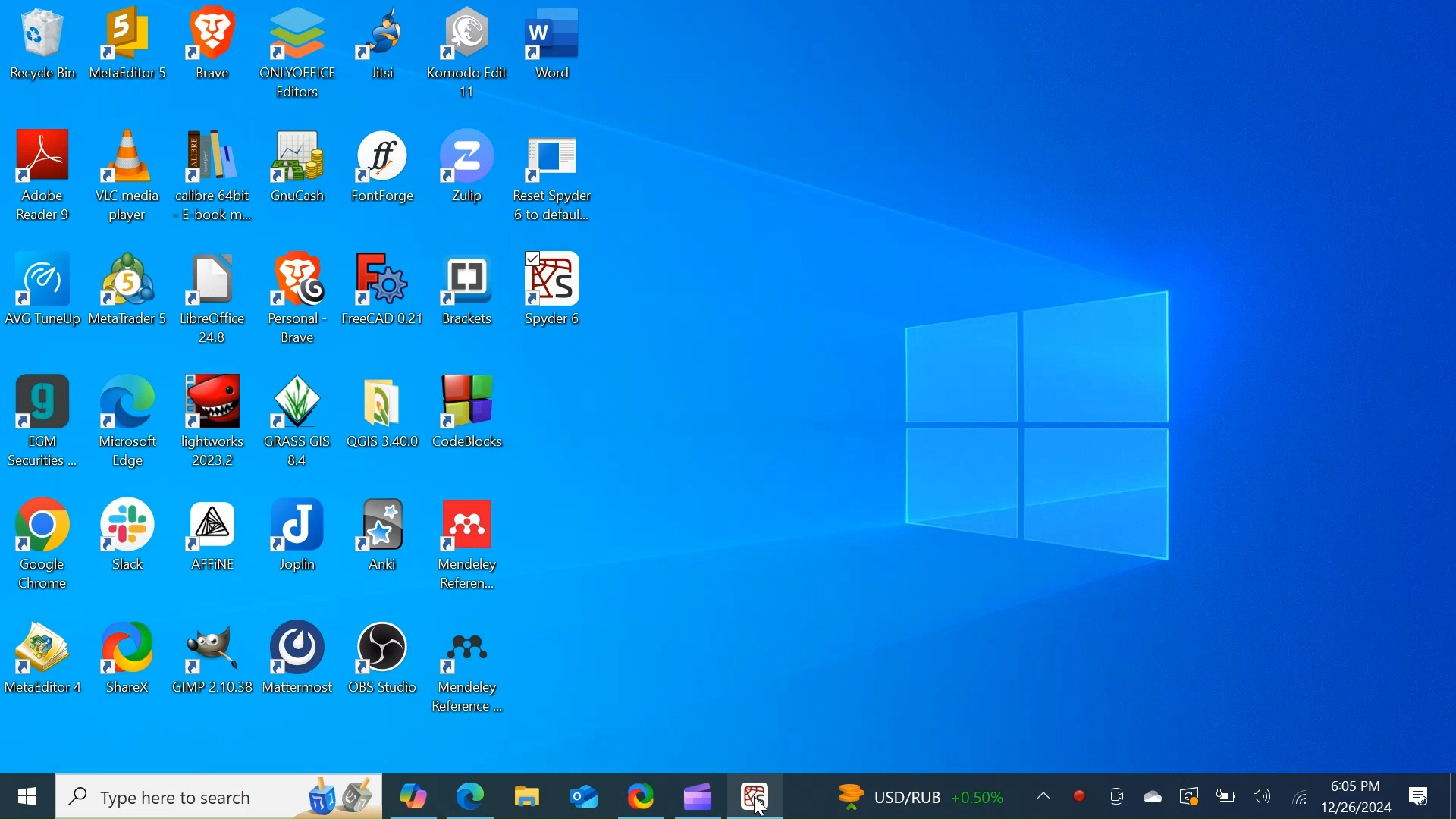  What do you see at coordinates (466, 180) in the screenshot?
I see `Zulip` at bounding box center [466, 180].